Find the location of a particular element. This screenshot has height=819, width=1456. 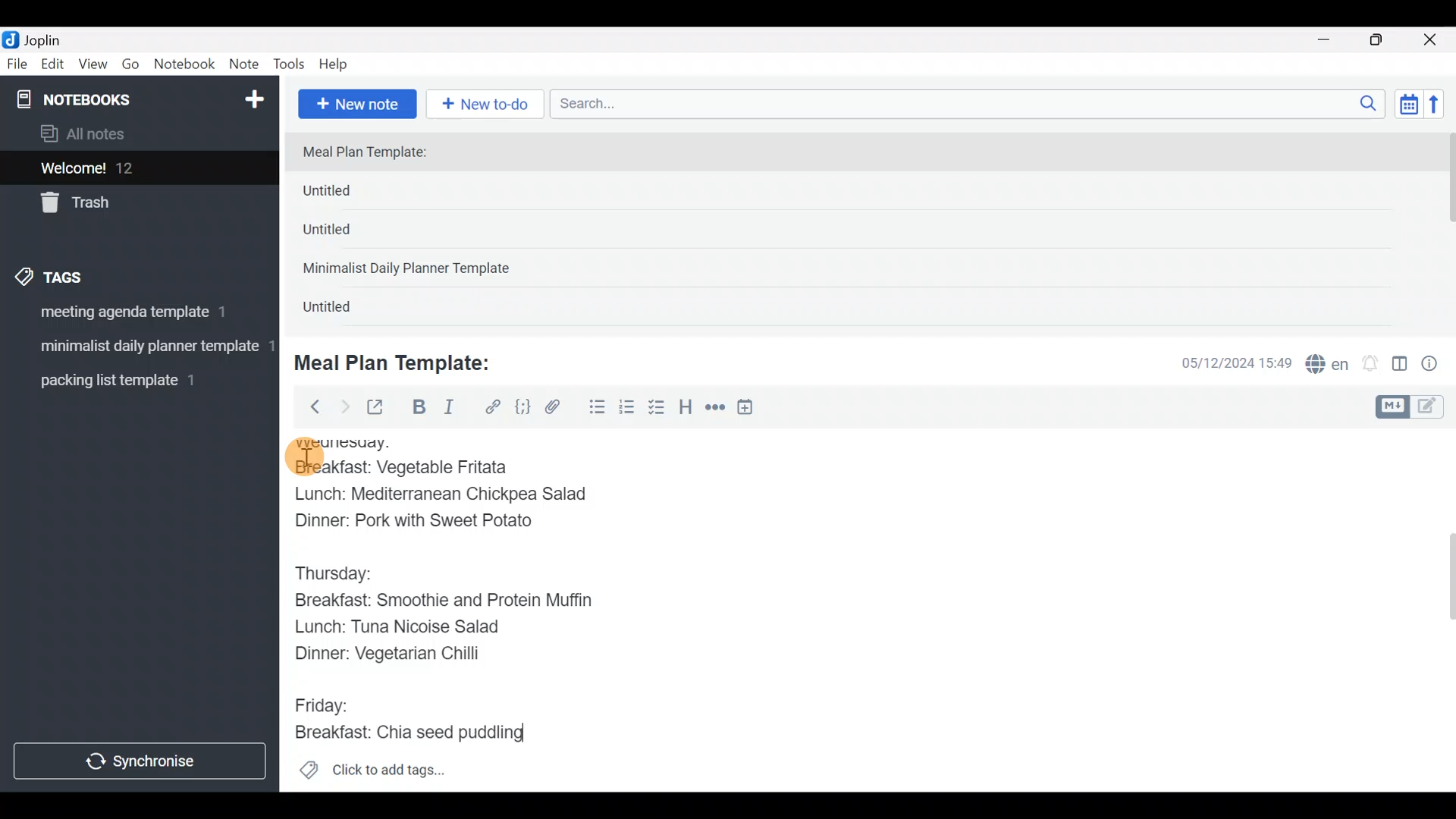

Untitled is located at coordinates (344, 310).